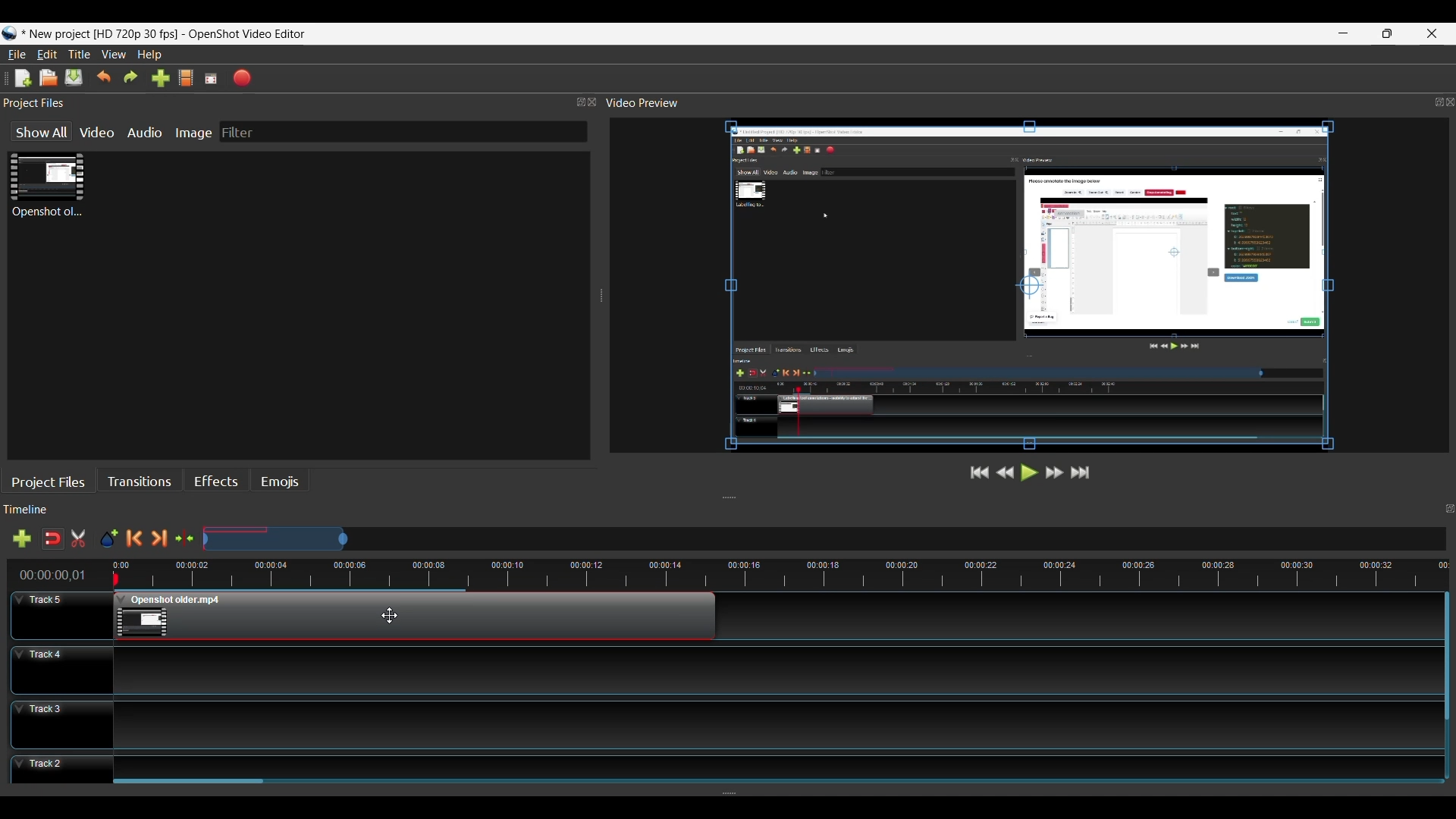 The image size is (1456, 819). What do you see at coordinates (52, 539) in the screenshot?
I see `Snap` at bounding box center [52, 539].